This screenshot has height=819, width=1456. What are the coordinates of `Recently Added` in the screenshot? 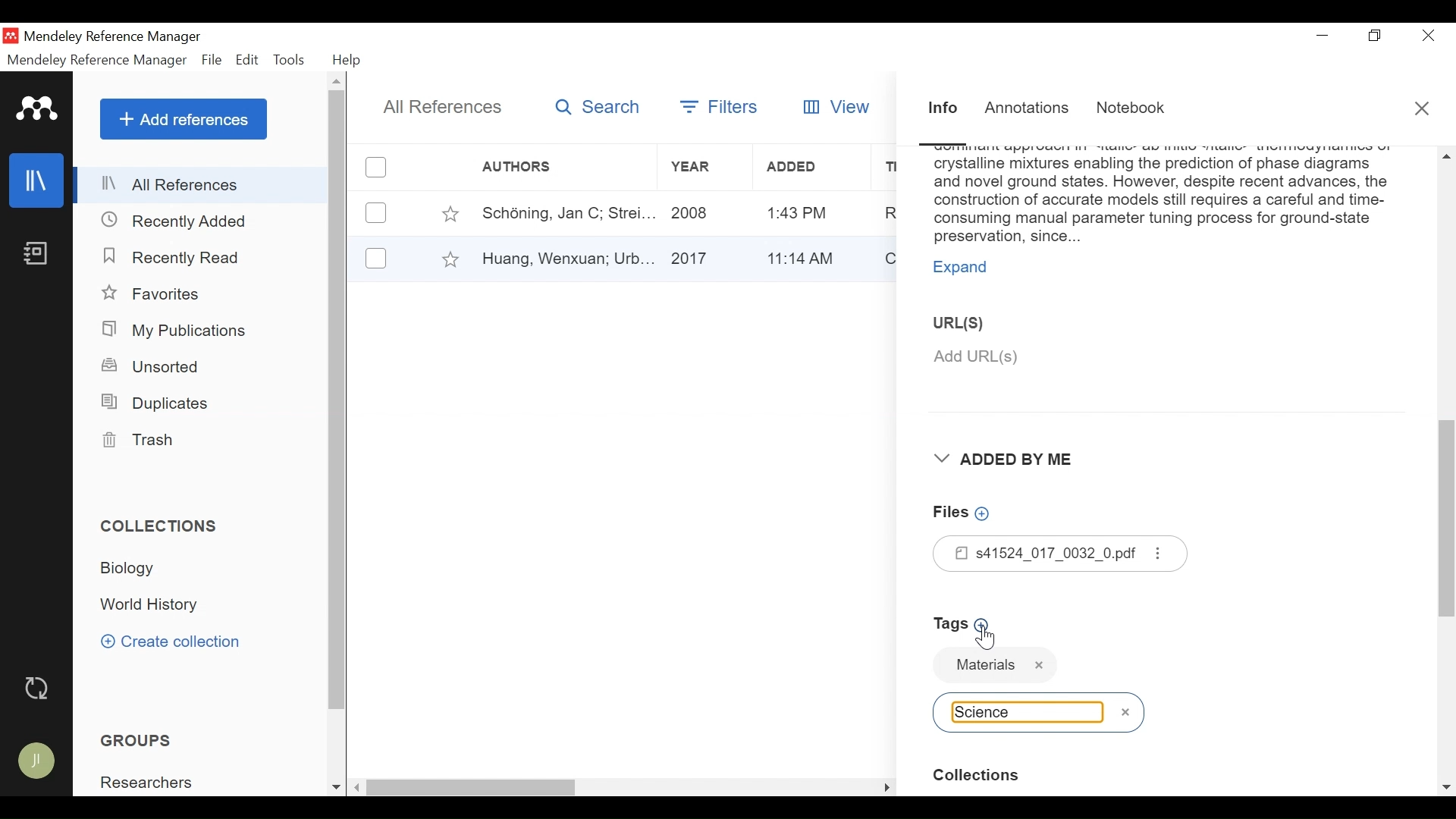 It's located at (176, 222).